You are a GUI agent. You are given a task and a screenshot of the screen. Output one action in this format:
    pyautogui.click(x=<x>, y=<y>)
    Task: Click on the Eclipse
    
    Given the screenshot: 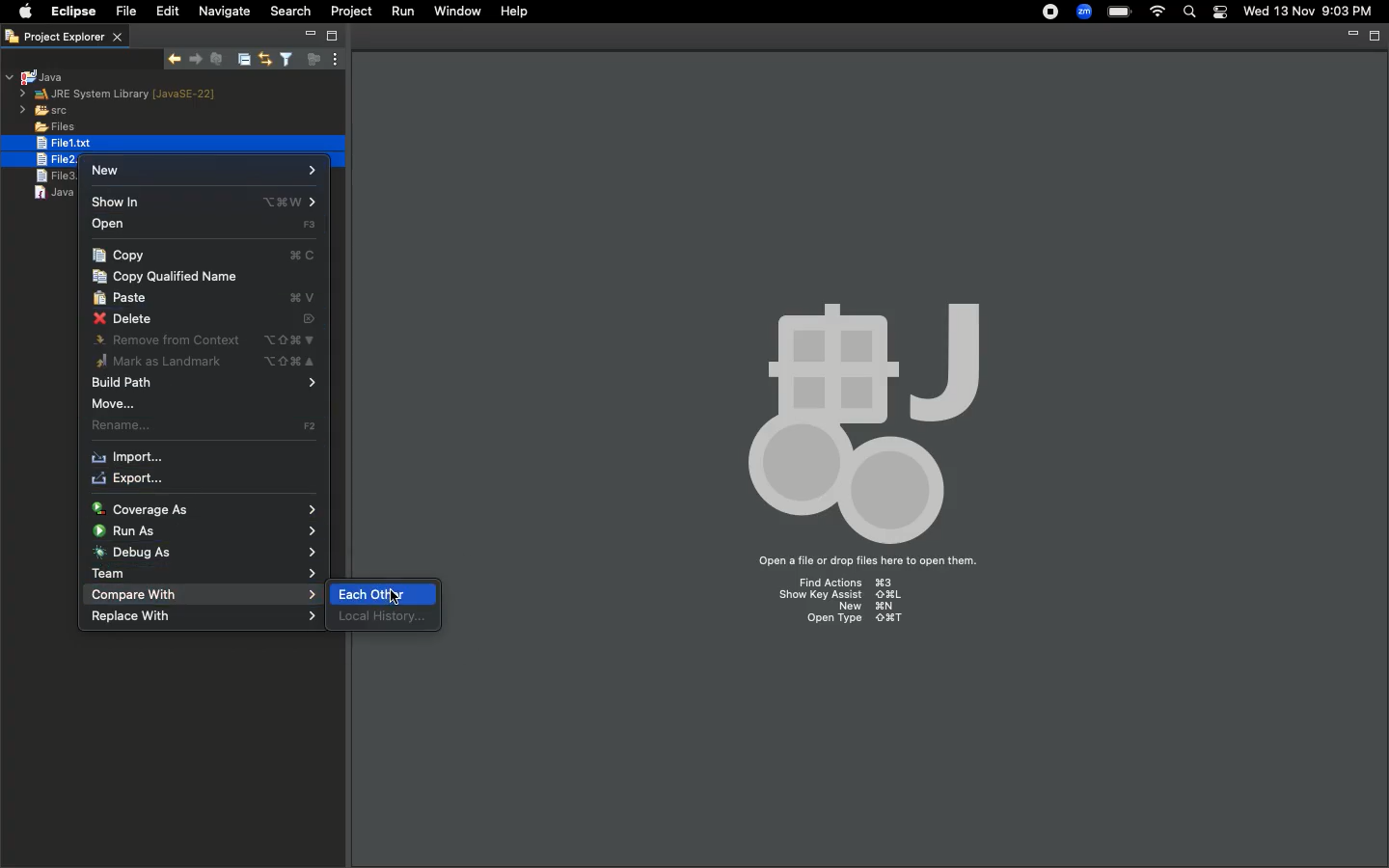 What is the action you would take?
    pyautogui.click(x=70, y=12)
    